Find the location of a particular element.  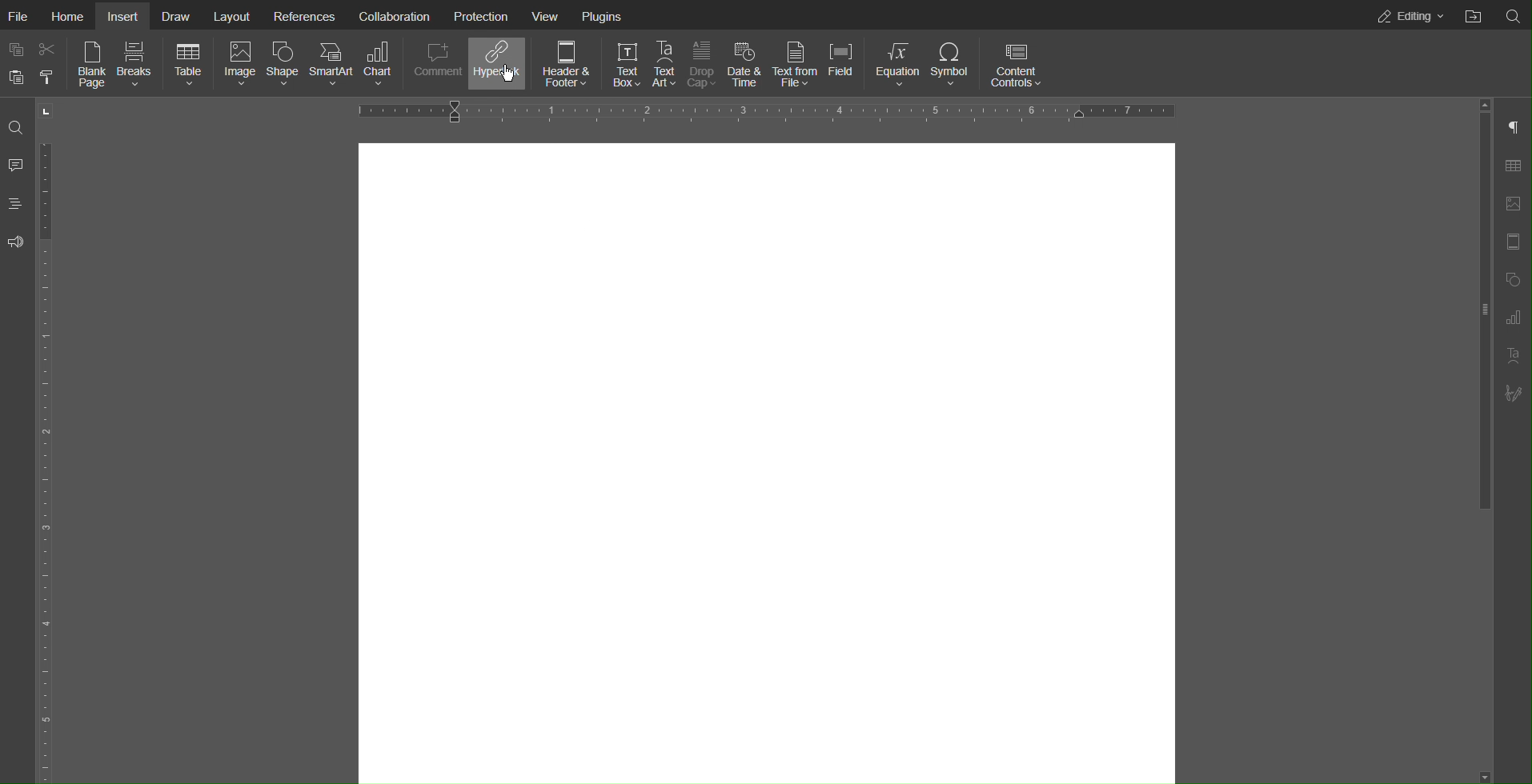

References is located at coordinates (305, 14).